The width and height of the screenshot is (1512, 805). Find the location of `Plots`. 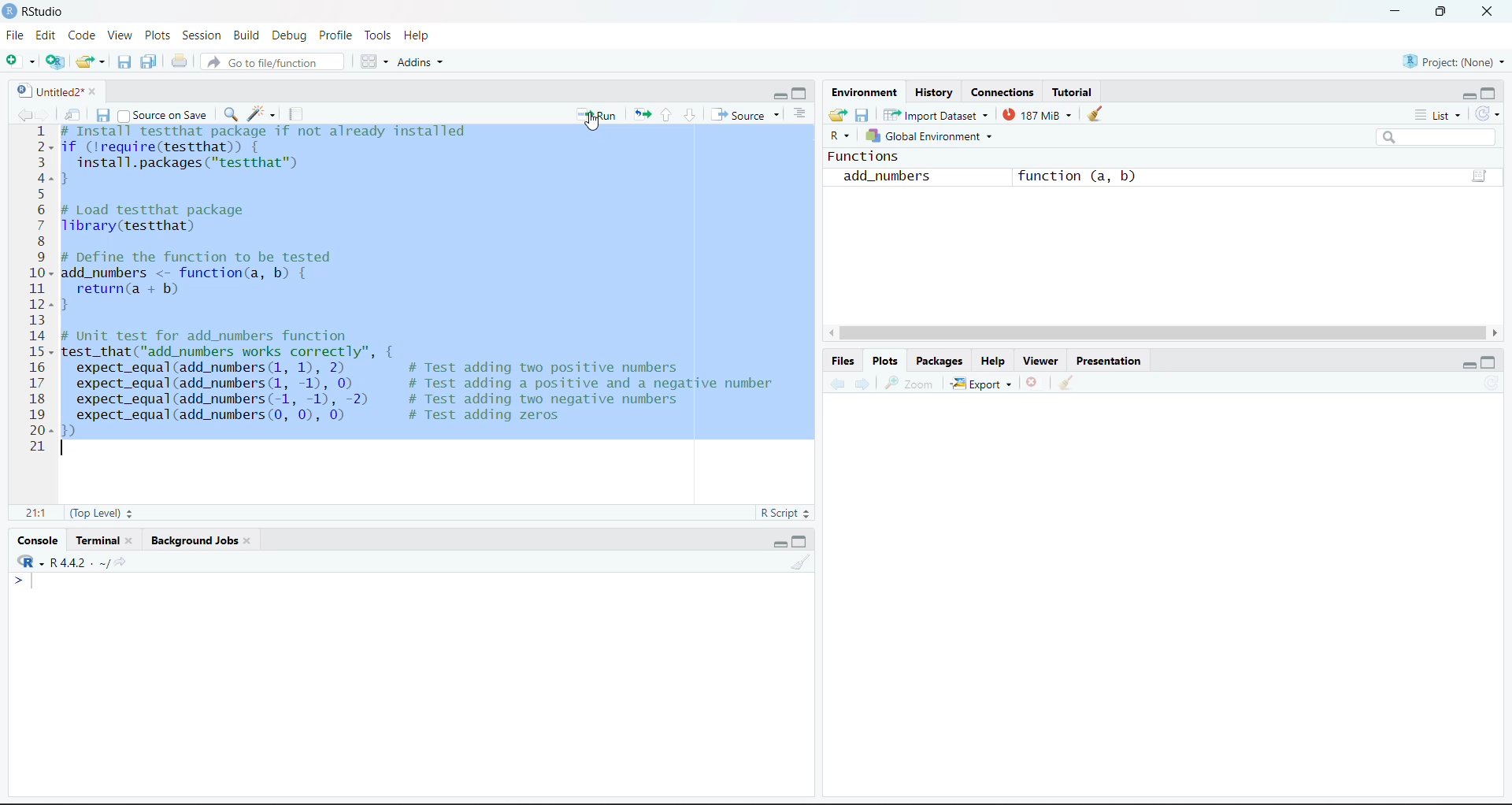

Plots is located at coordinates (159, 35).